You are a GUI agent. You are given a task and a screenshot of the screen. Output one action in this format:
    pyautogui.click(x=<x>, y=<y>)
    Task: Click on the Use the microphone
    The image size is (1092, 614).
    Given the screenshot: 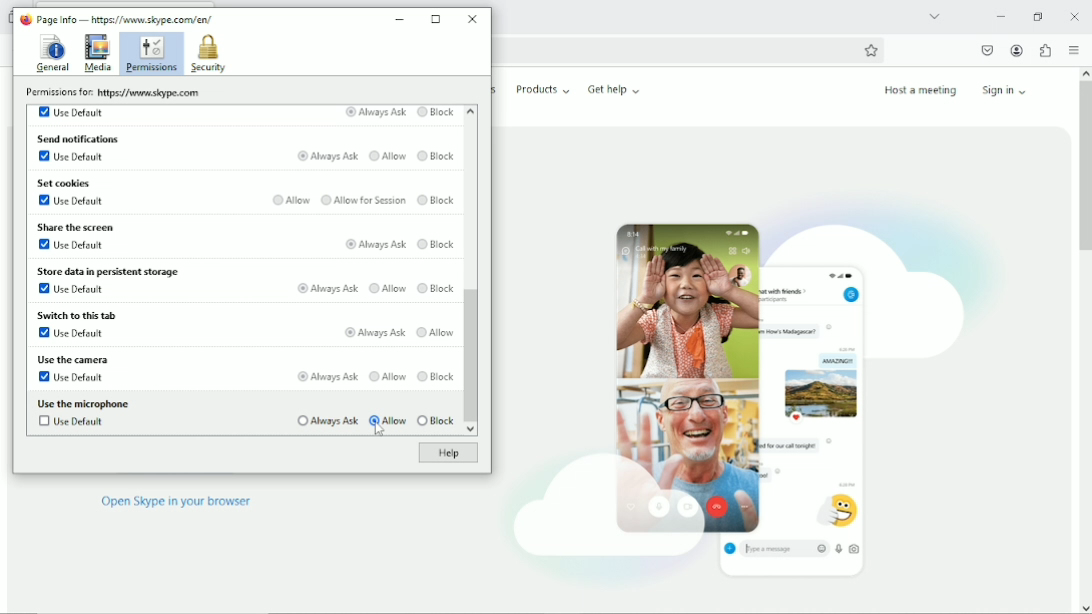 What is the action you would take?
    pyautogui.click(x=84, y=403)
    